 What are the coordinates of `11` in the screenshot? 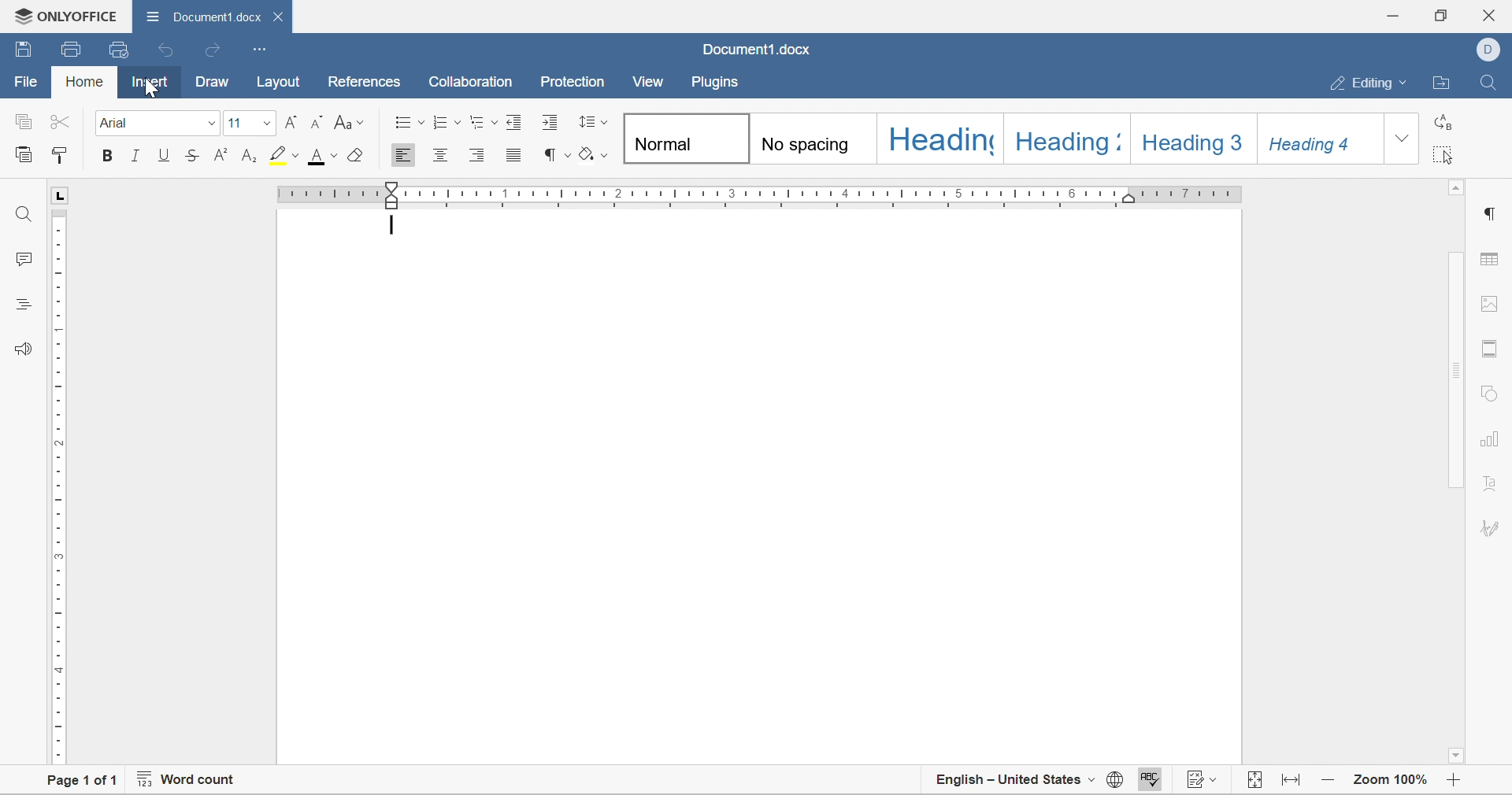 It's located at (250, 121).